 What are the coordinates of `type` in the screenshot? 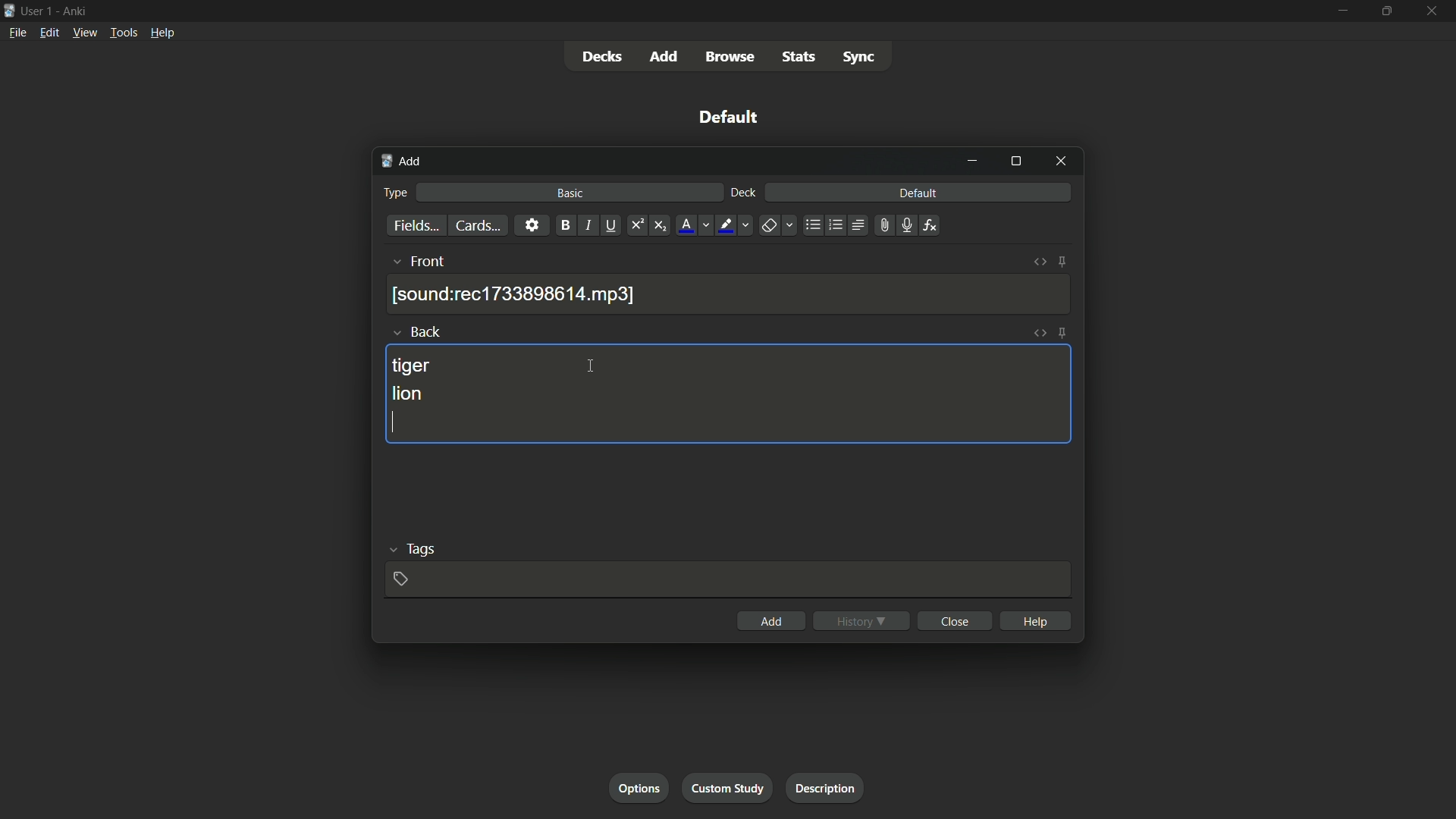 It's located at (397, 192).